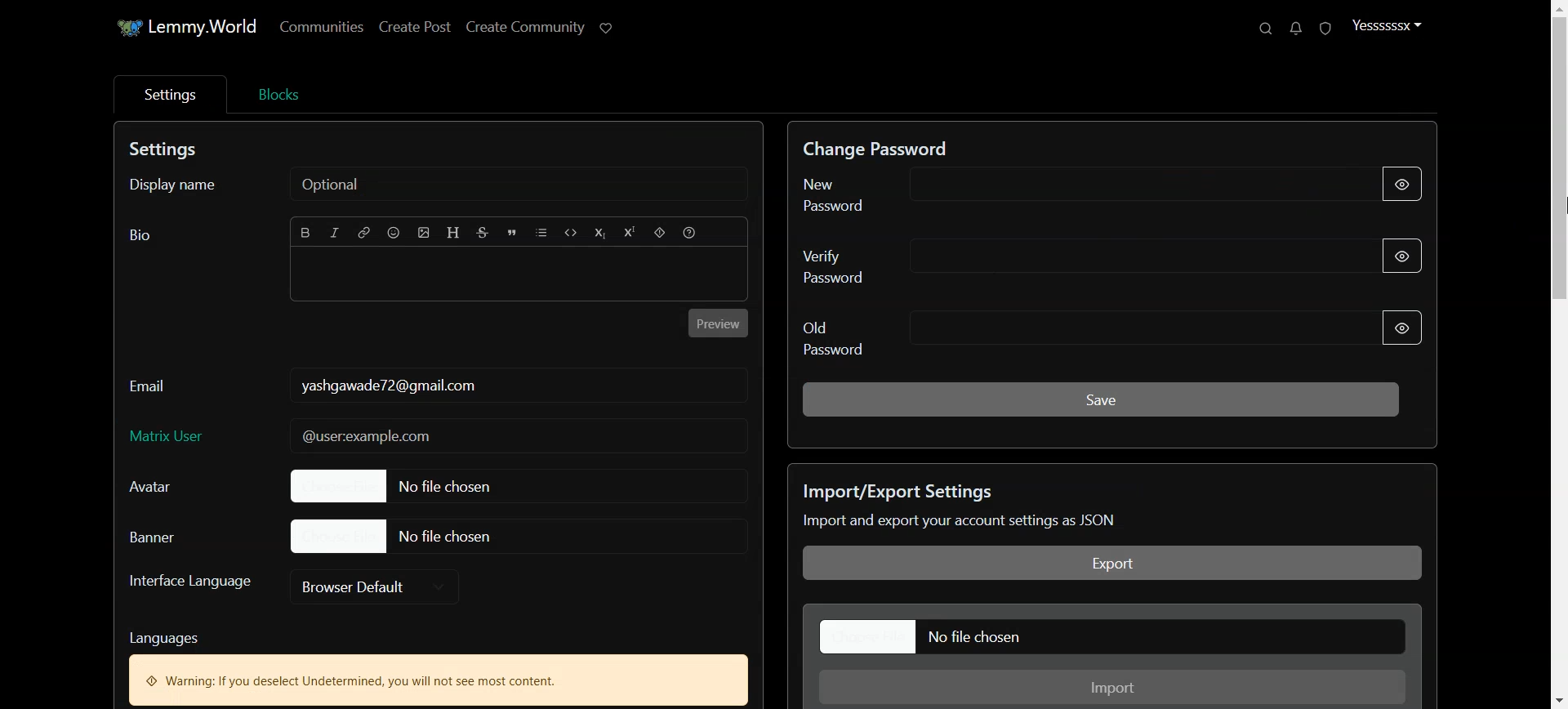 This screenshot has height=709, width=1568. What do you see at coordinates (525, 28) in the screenshot?
I see `Create Community` at bounding box center [525, 28].